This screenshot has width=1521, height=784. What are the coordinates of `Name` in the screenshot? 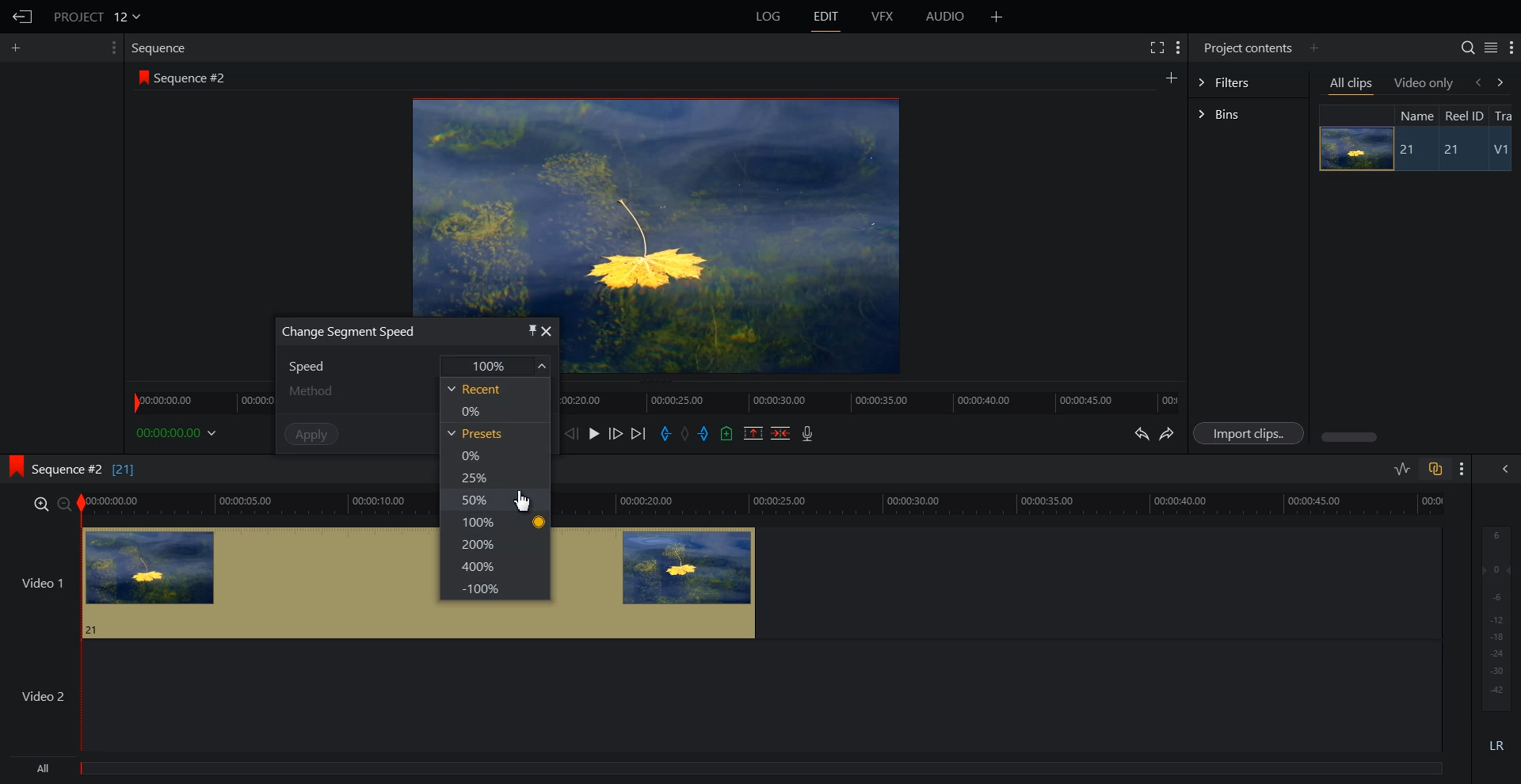 It's located at (1415, 115).